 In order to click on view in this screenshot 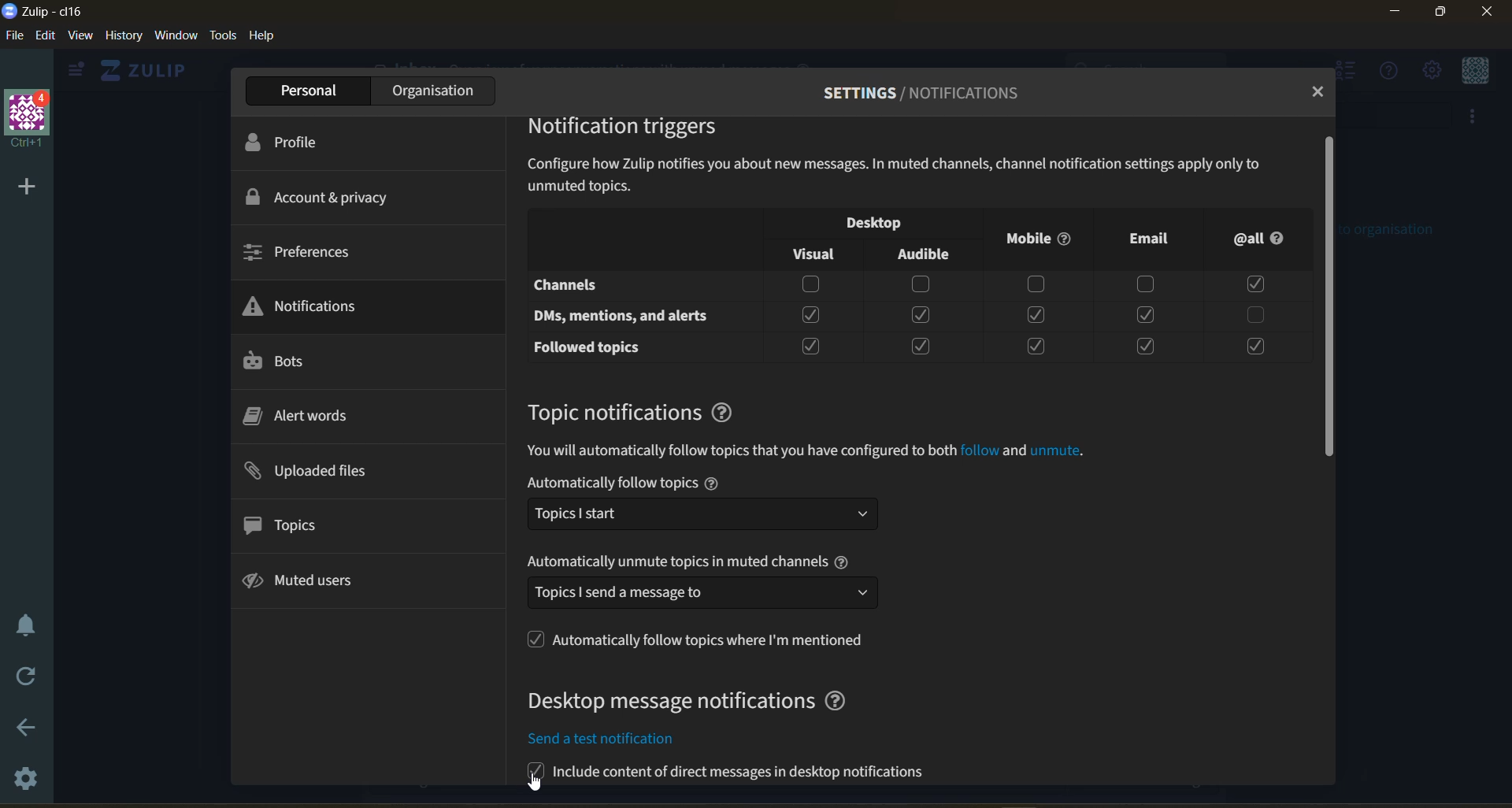, I will do `click(83, 37)`.